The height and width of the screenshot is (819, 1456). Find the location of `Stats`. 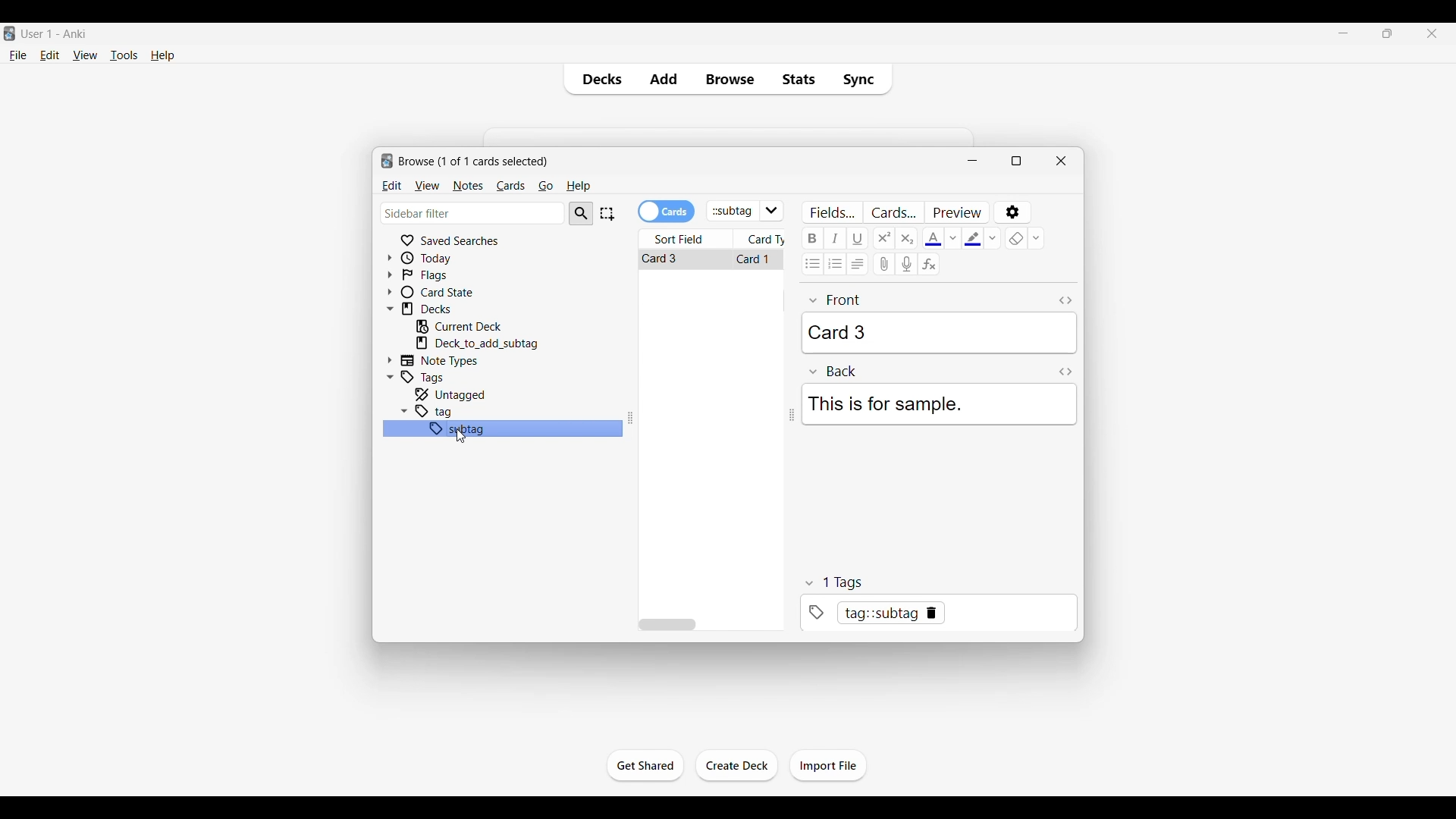

Stats is located at coordinates (797, 79).